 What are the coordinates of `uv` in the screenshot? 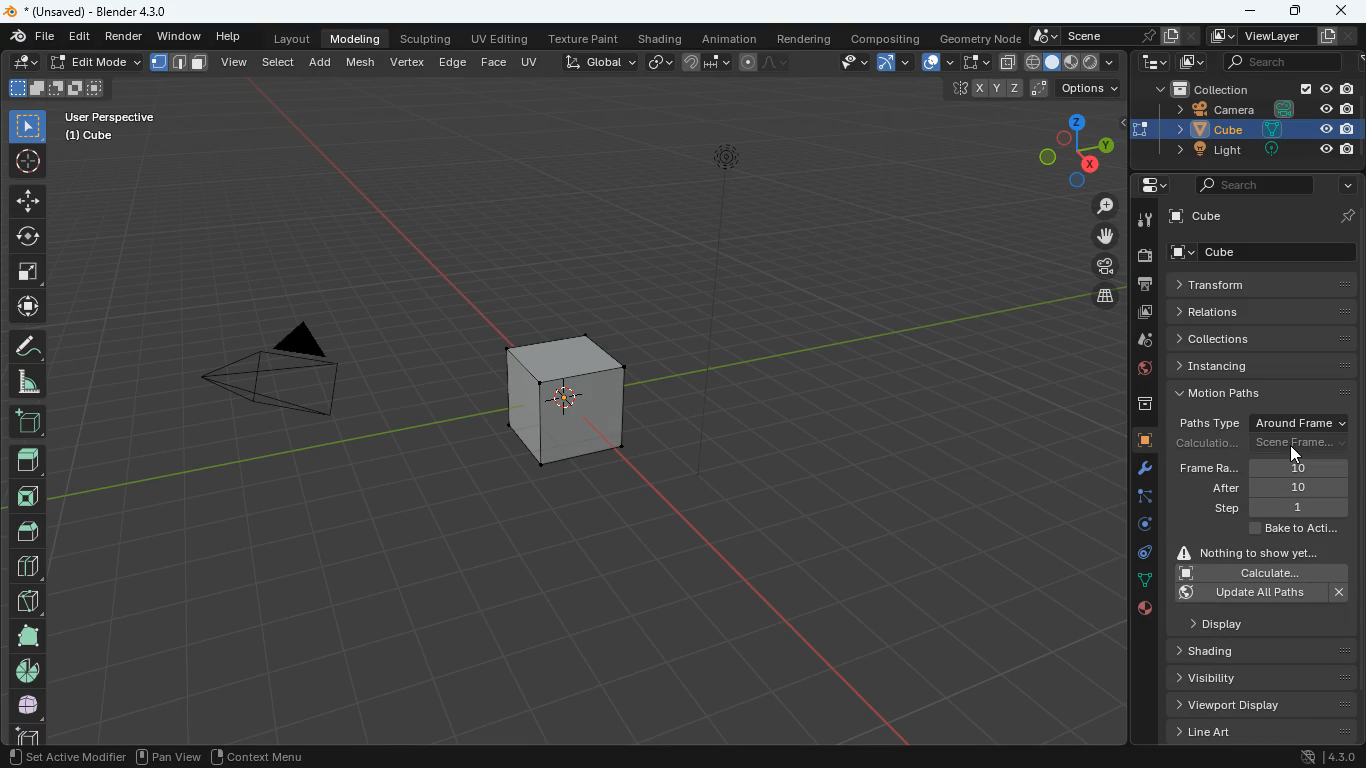 It's located at (531, 60).